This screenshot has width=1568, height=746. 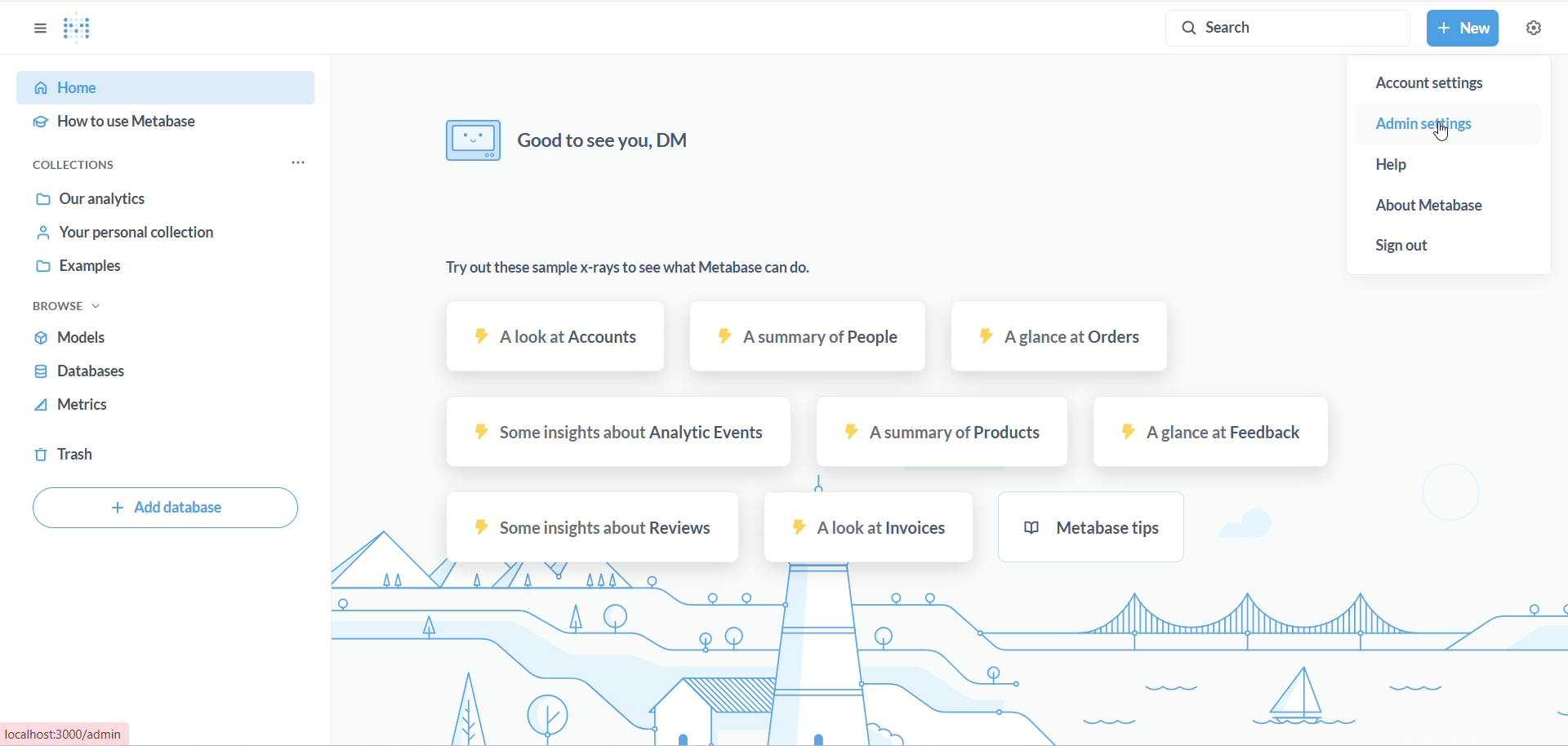 What do you see at coordinates (1091, 526) in the screenshot?
I see `metabase tips` at bounding box center [1091, 526].